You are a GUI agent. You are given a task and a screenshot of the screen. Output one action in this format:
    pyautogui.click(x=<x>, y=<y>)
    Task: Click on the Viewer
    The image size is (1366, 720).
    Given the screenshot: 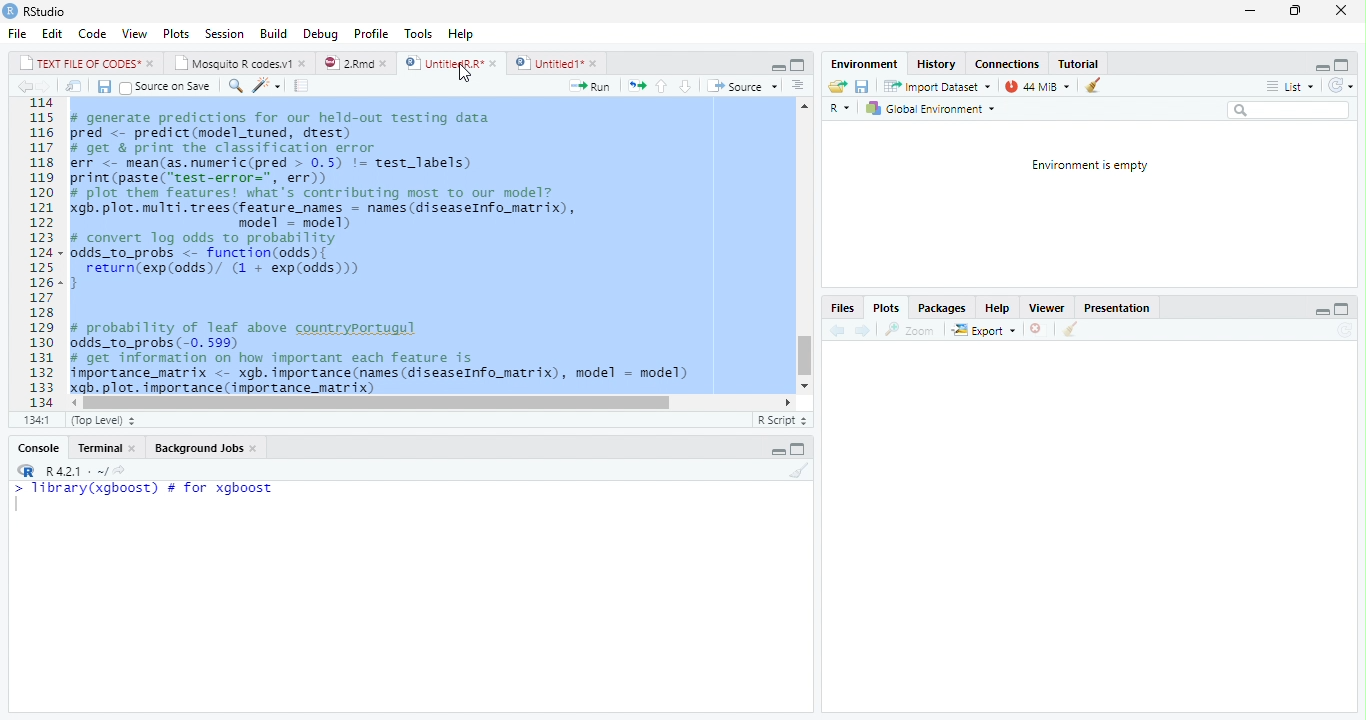 What is the action you would take?
    pyautogui.click(x=1049, y=307)
    